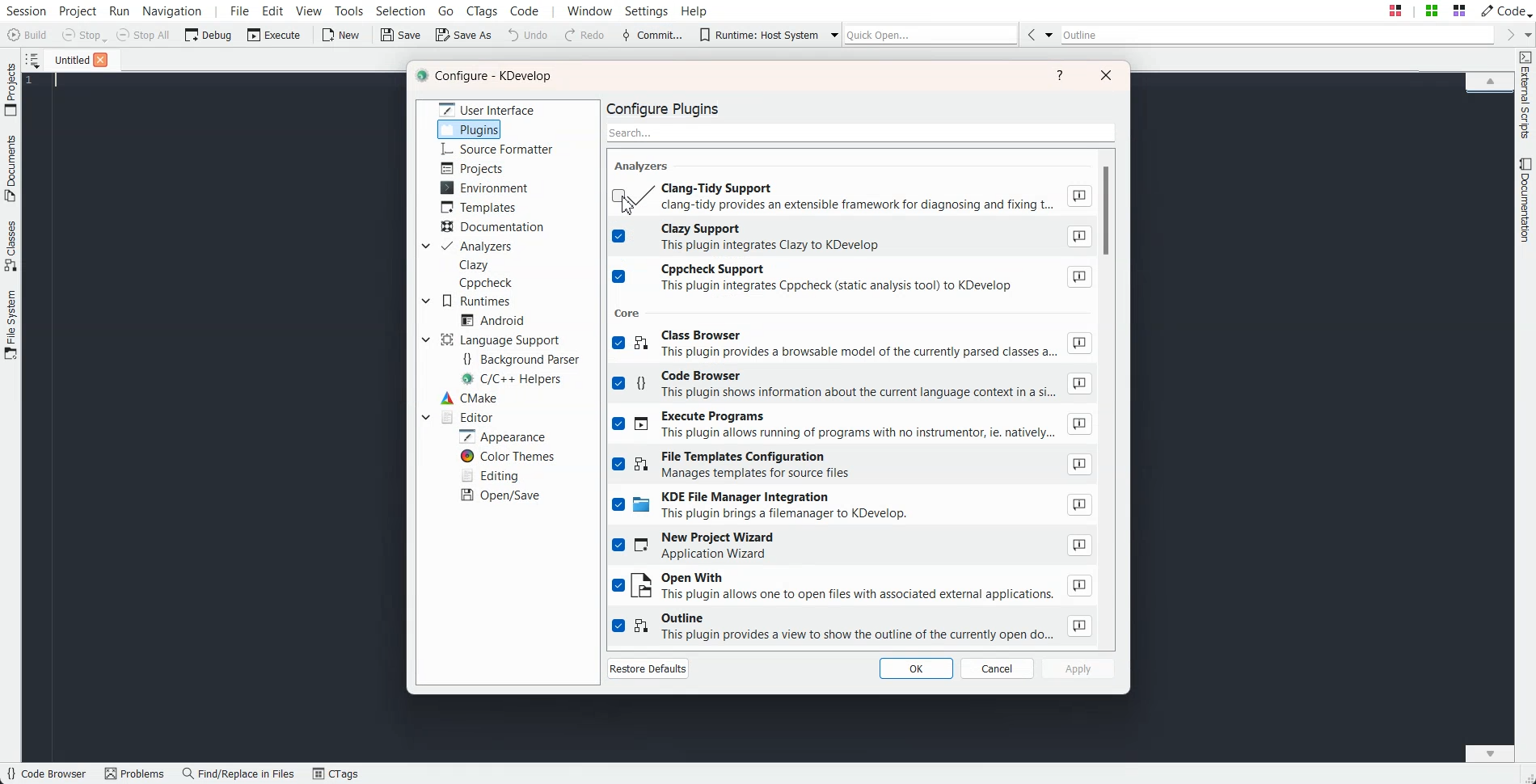  What do you see at coordinates (487, 77) in the screenshot?
I see `Text` at bounding box center [487, 77].